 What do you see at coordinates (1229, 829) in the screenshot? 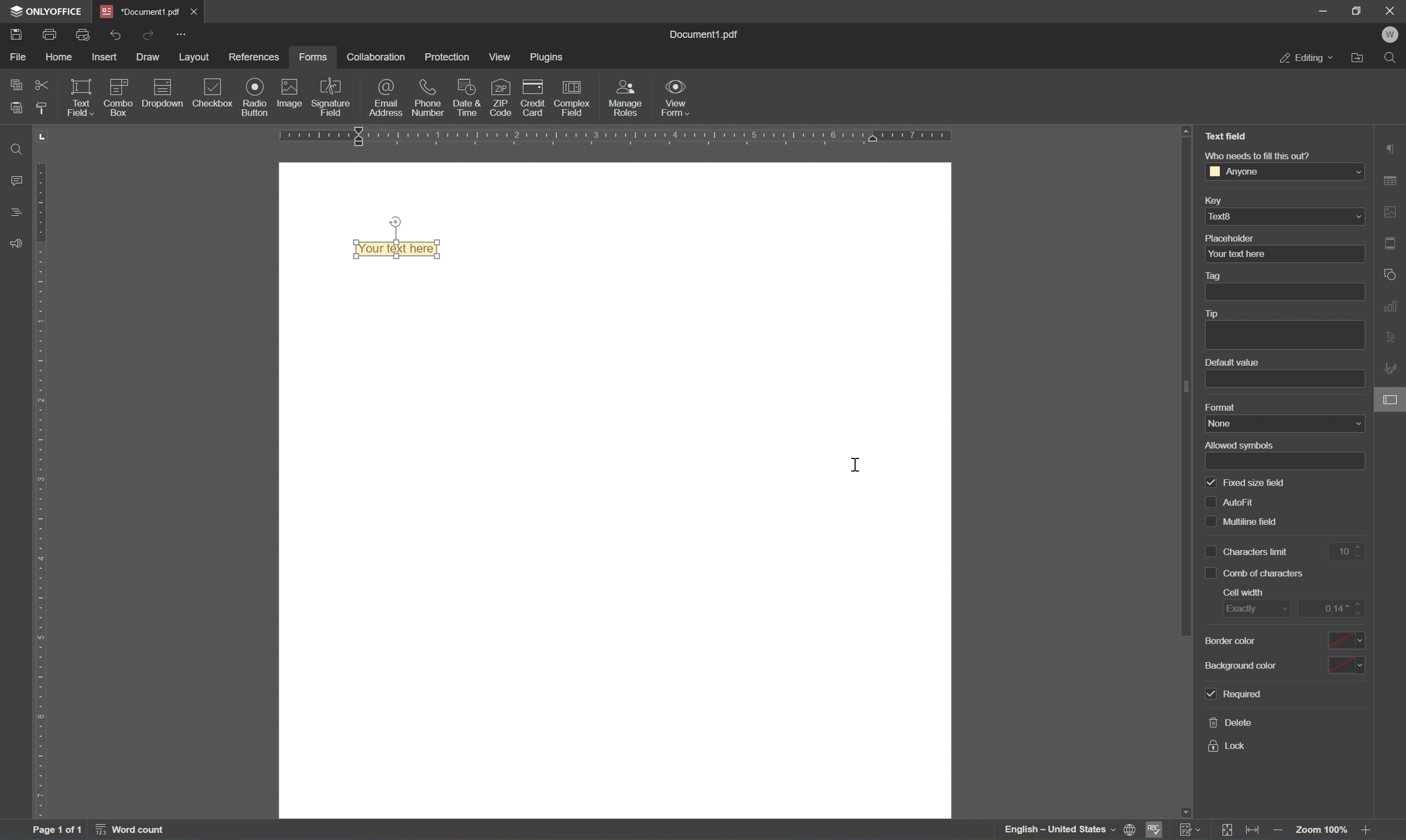
I see `fit to page` at bounding box center [1229, 829].